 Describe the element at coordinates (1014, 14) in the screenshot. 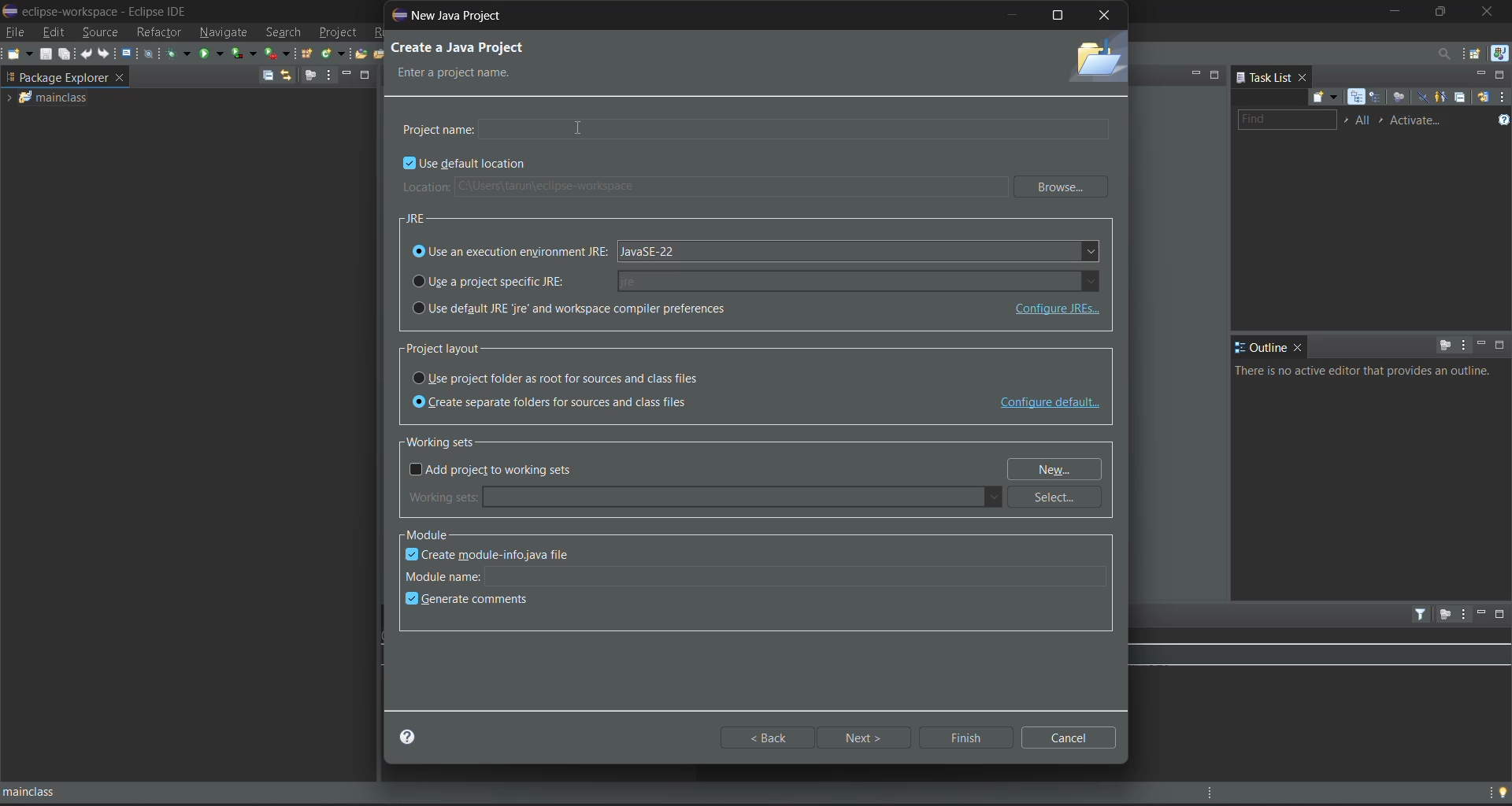

I see `minimize` at that location.